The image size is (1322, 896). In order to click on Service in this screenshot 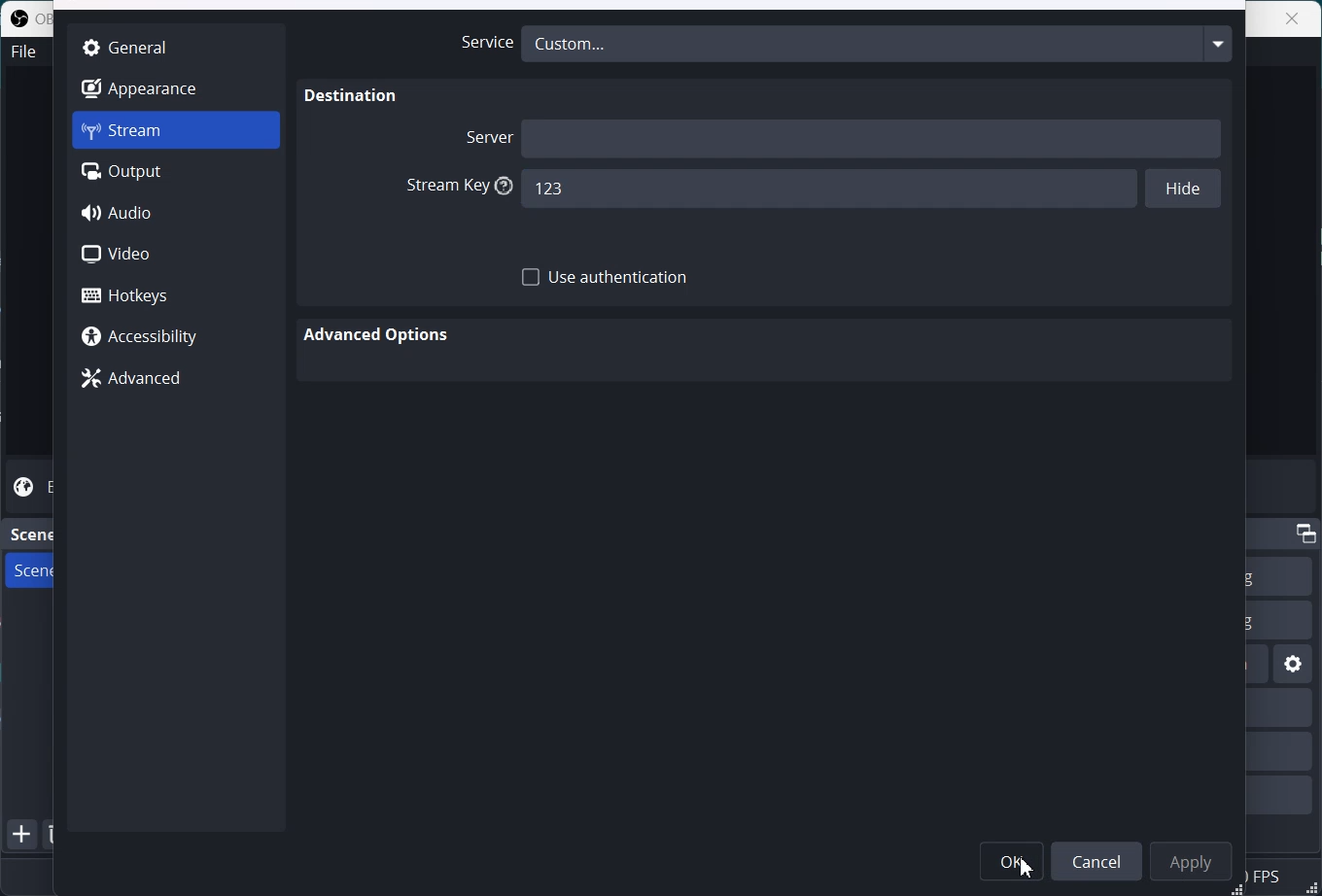, I will do `click(481, 43)`.